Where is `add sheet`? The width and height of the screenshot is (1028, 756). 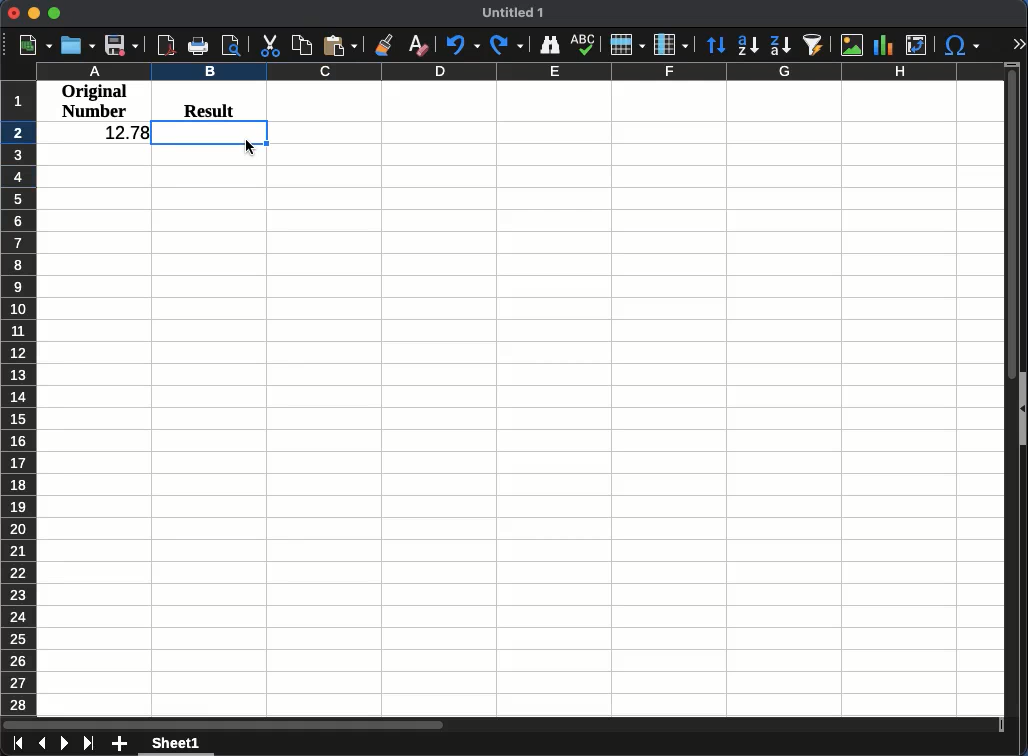 add sheet is located at coordinates (120, 743).